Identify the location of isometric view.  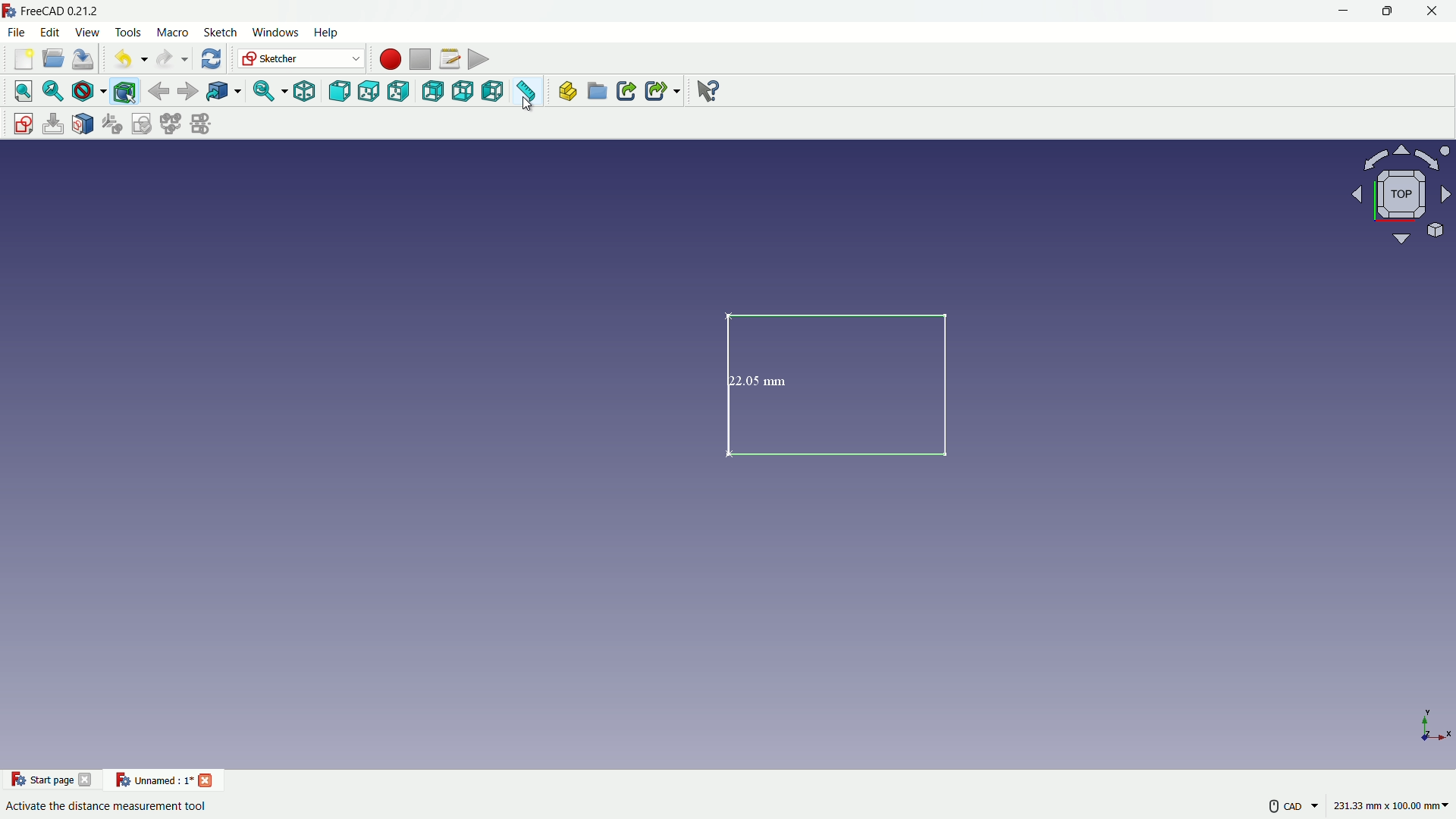
(300, 91).